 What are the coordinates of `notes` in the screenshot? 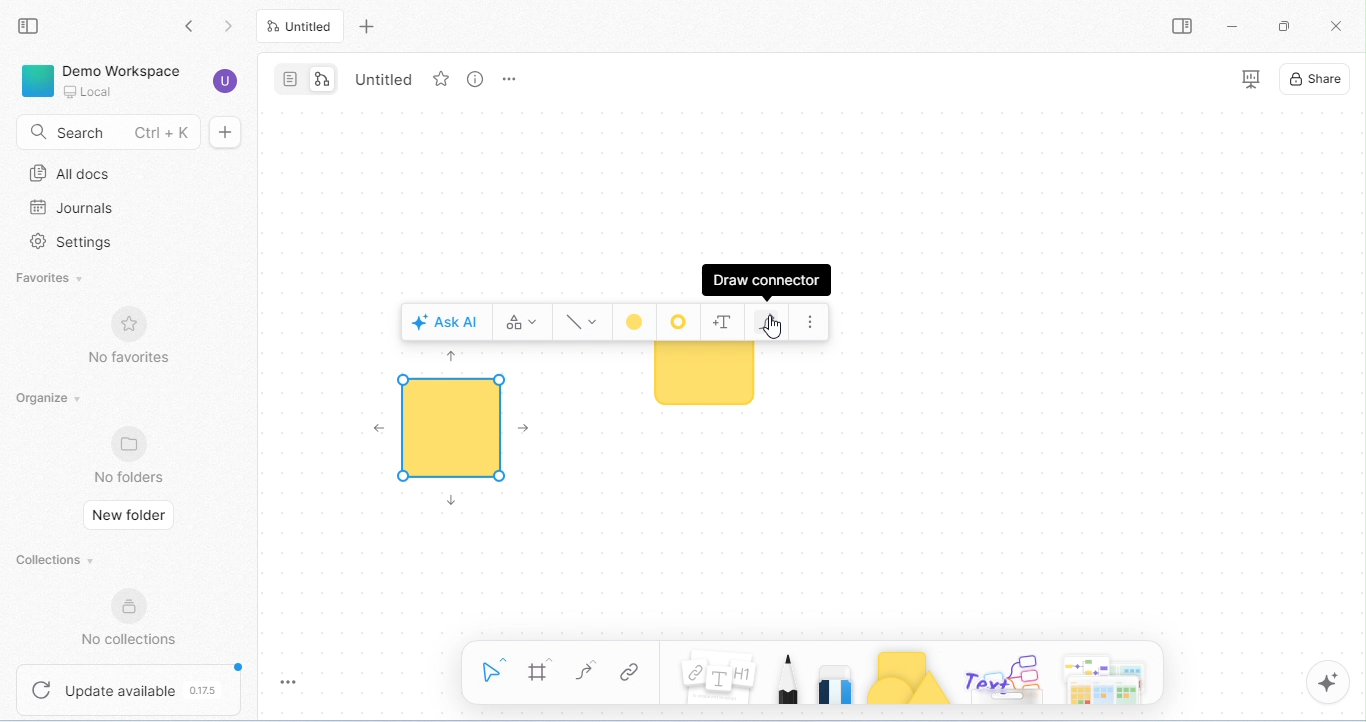 It's located at (718, 678).